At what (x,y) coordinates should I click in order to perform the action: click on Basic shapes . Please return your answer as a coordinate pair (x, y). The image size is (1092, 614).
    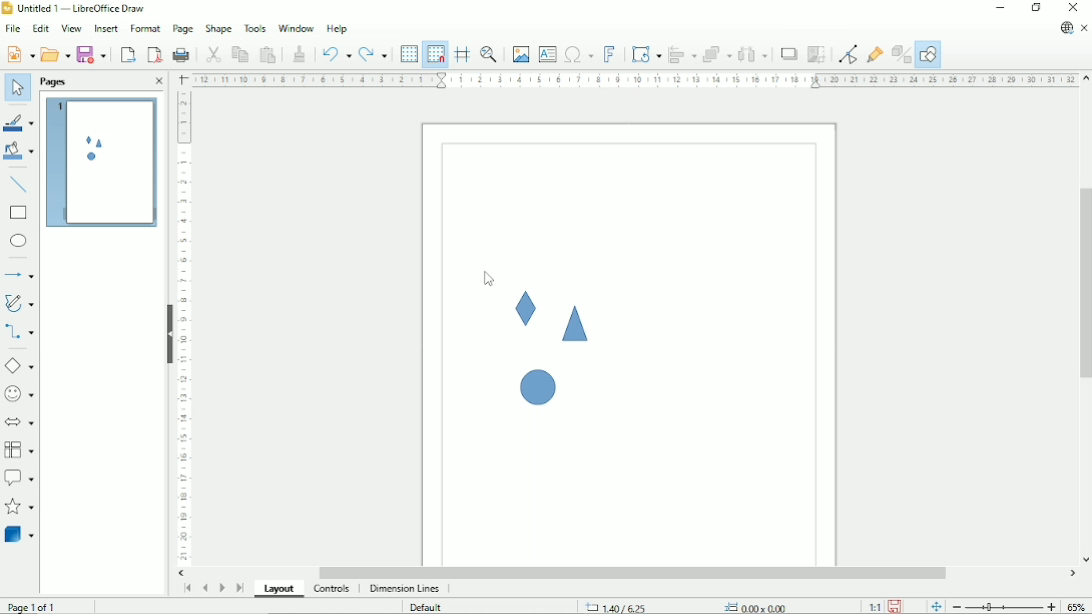
    Looking at the image, I should click on (19, 365).